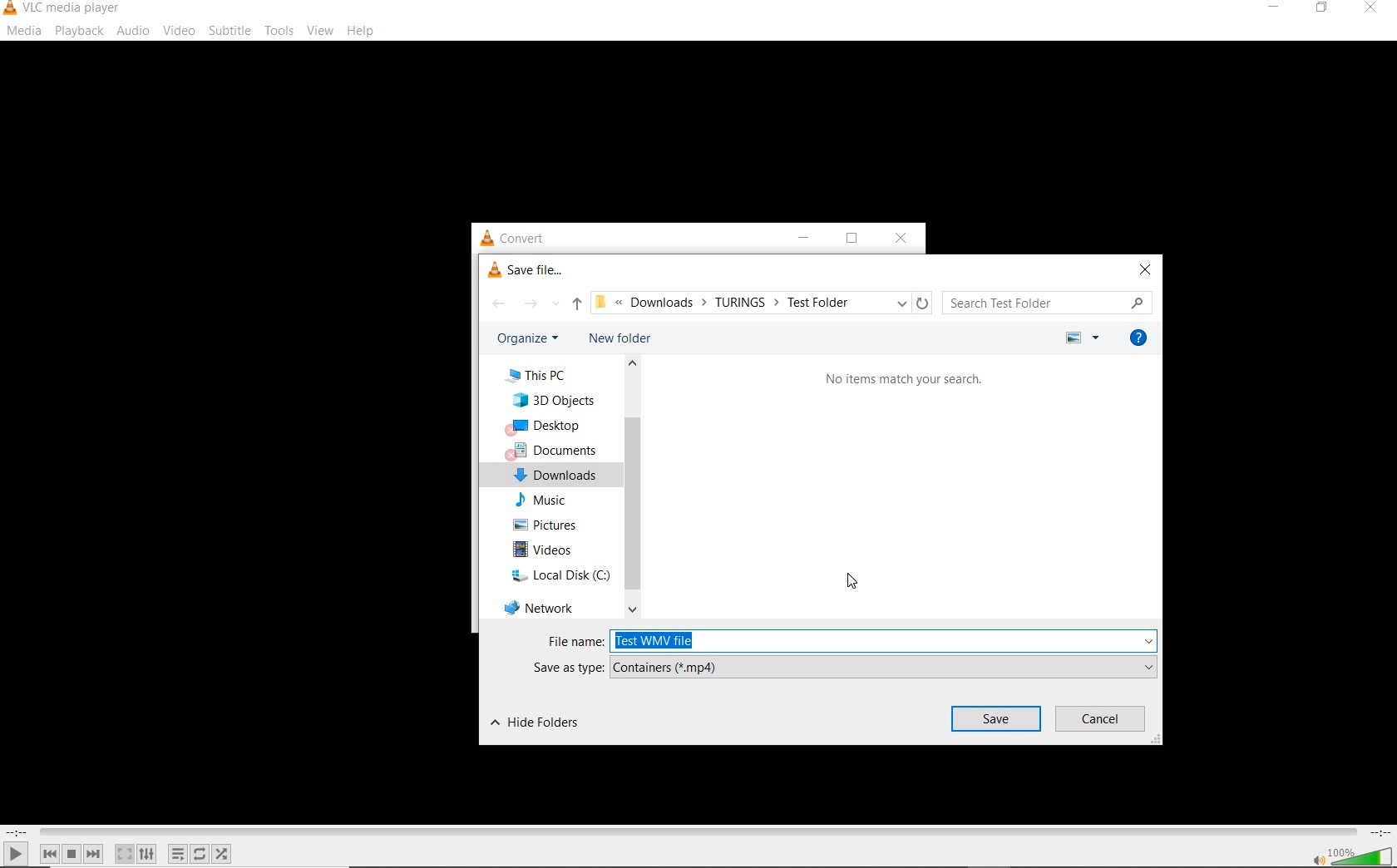  I want to click on restore down, so click(851, 238).